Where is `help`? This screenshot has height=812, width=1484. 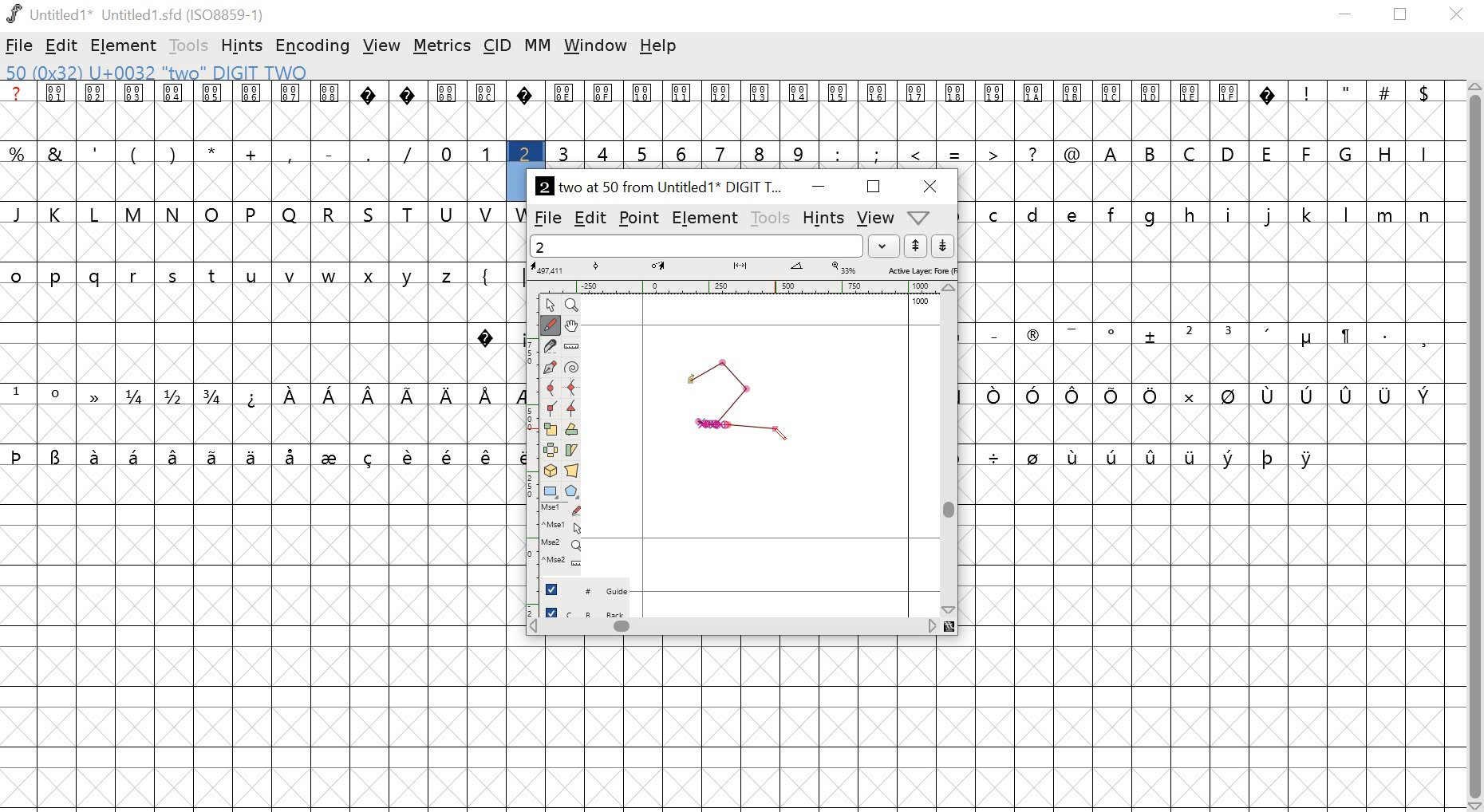
help is located at coordinates (658, 48).